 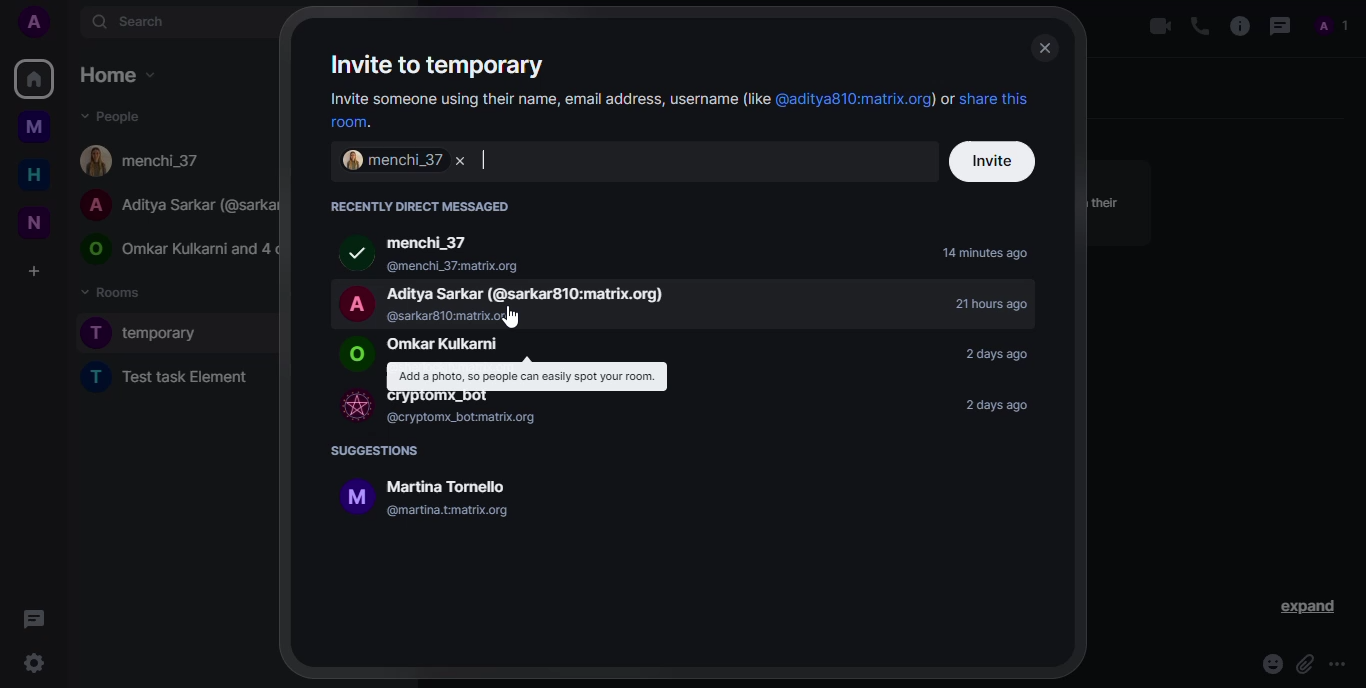 What do you see at coordinates (431, 244) in the screenshot?
I see `‘menchi_37` at bounding box center [431, 244].